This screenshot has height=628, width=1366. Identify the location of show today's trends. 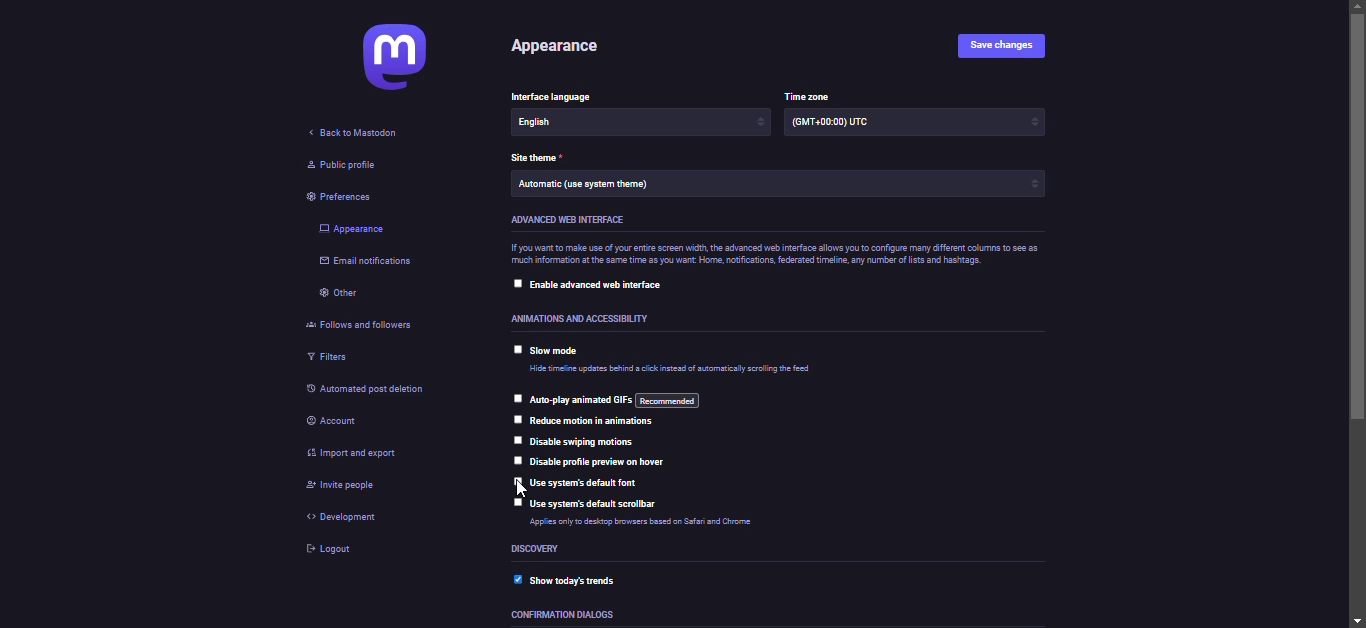
(571, 580).